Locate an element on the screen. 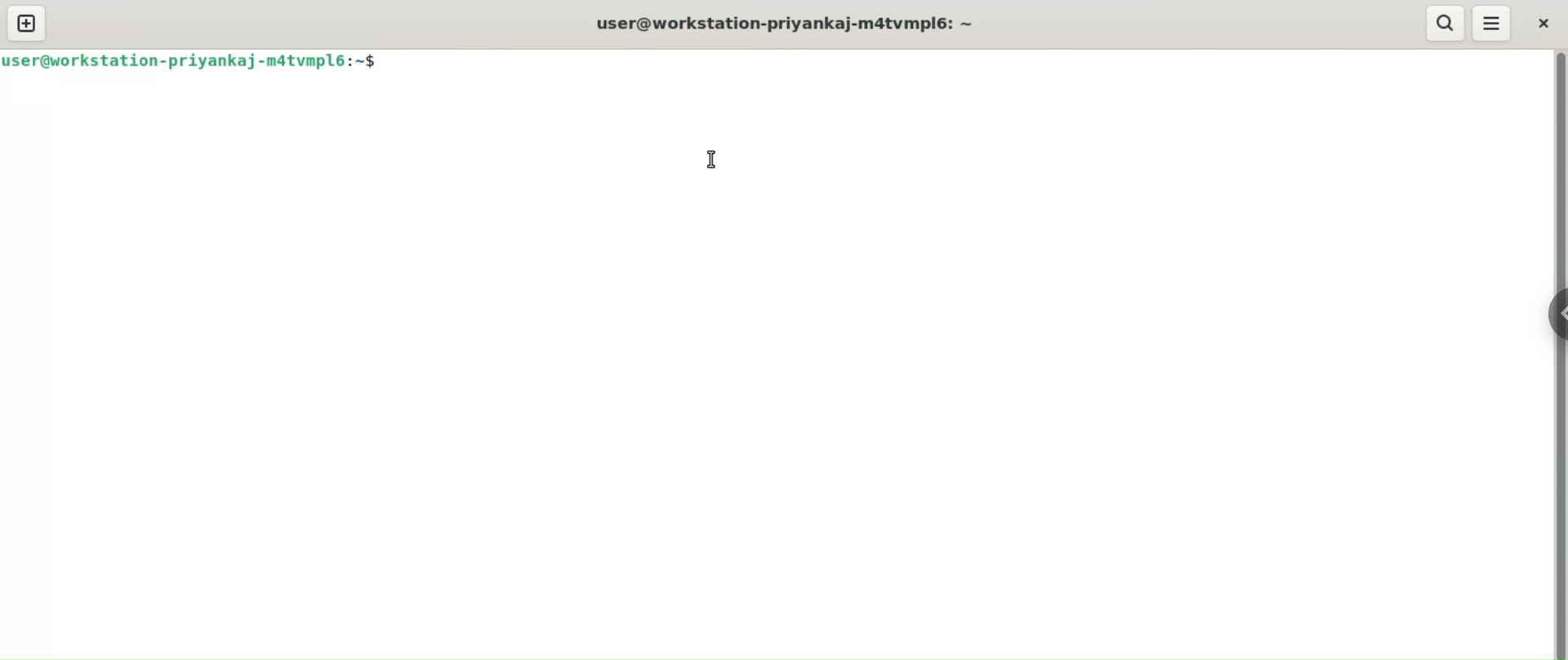 This screenshot has height=660, width=1568. menu is located at coordinates (1491, 23).